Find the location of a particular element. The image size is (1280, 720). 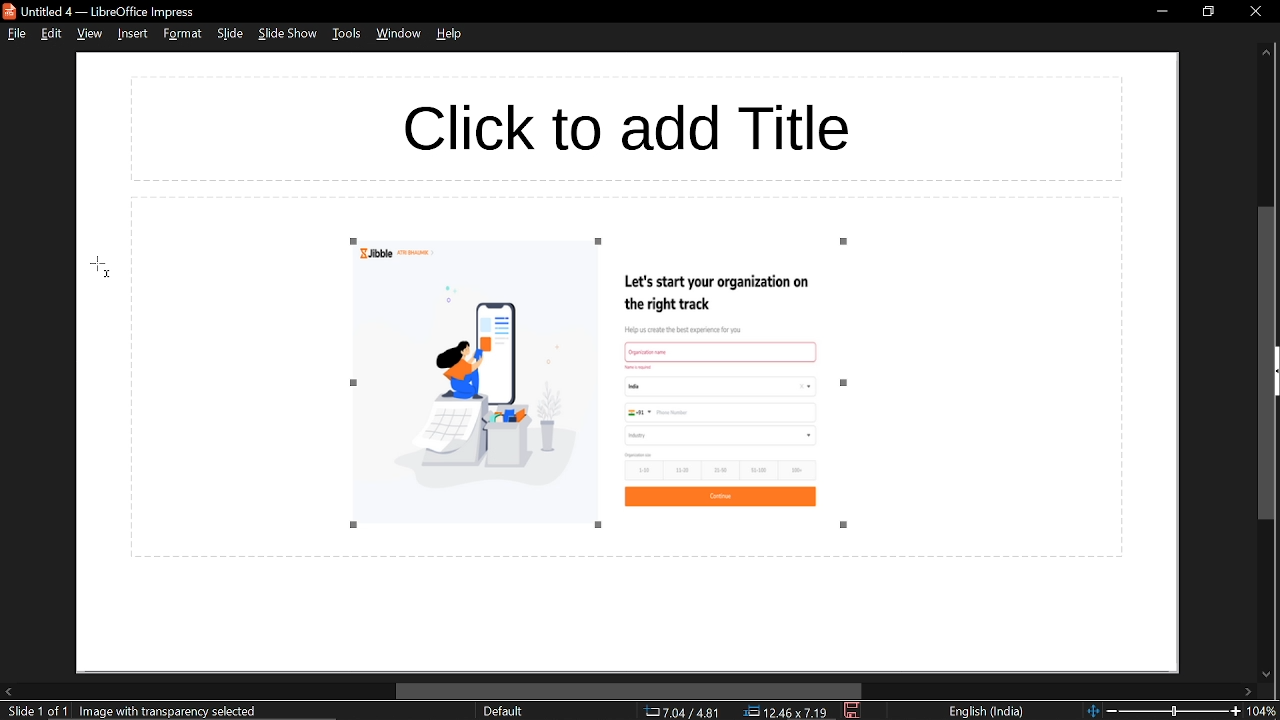

vertical scrollbar is located at coordinates (1267, 363).